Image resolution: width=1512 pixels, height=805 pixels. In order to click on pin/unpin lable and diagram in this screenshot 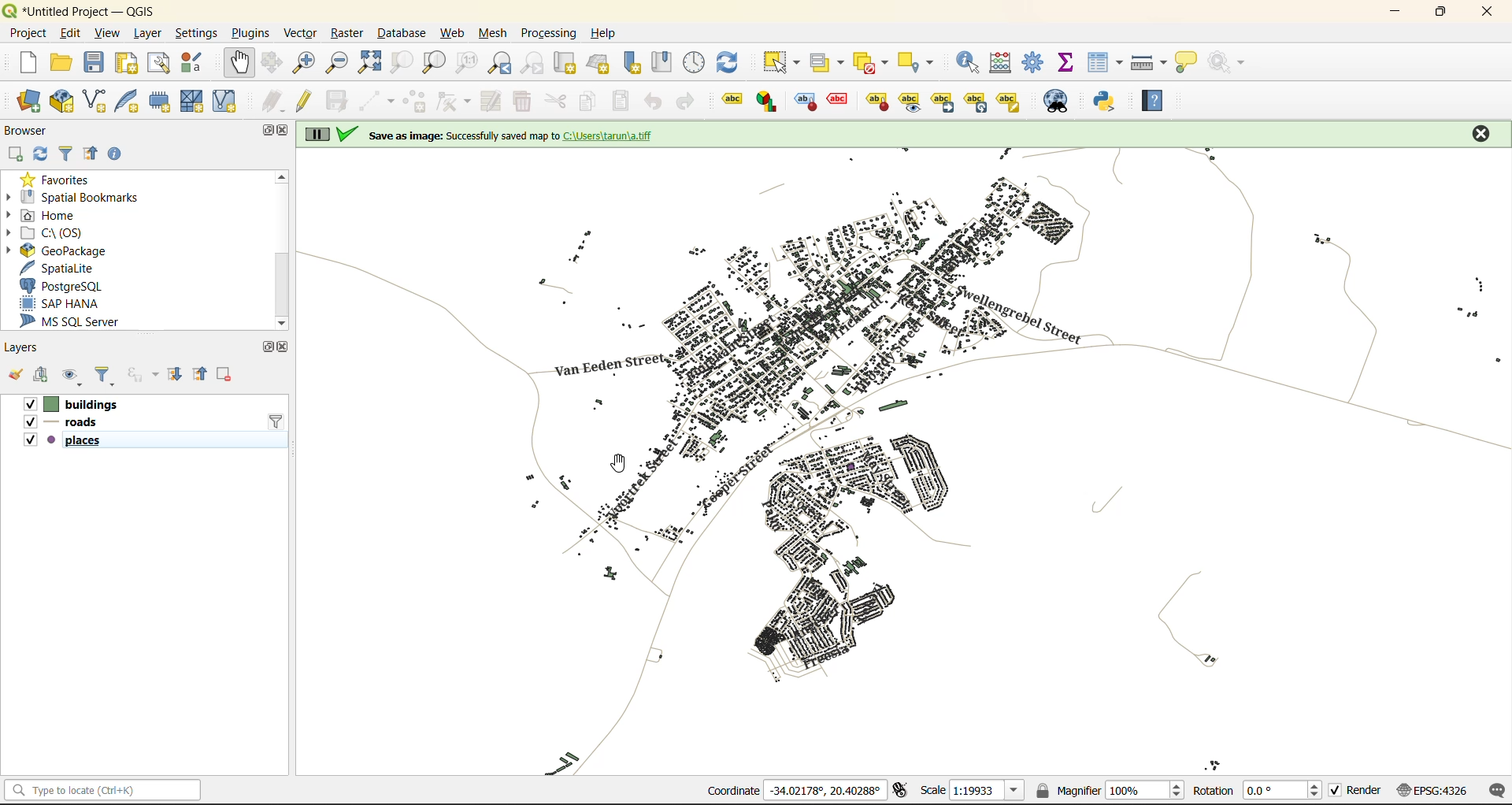, I will do `click(840, 101)`.